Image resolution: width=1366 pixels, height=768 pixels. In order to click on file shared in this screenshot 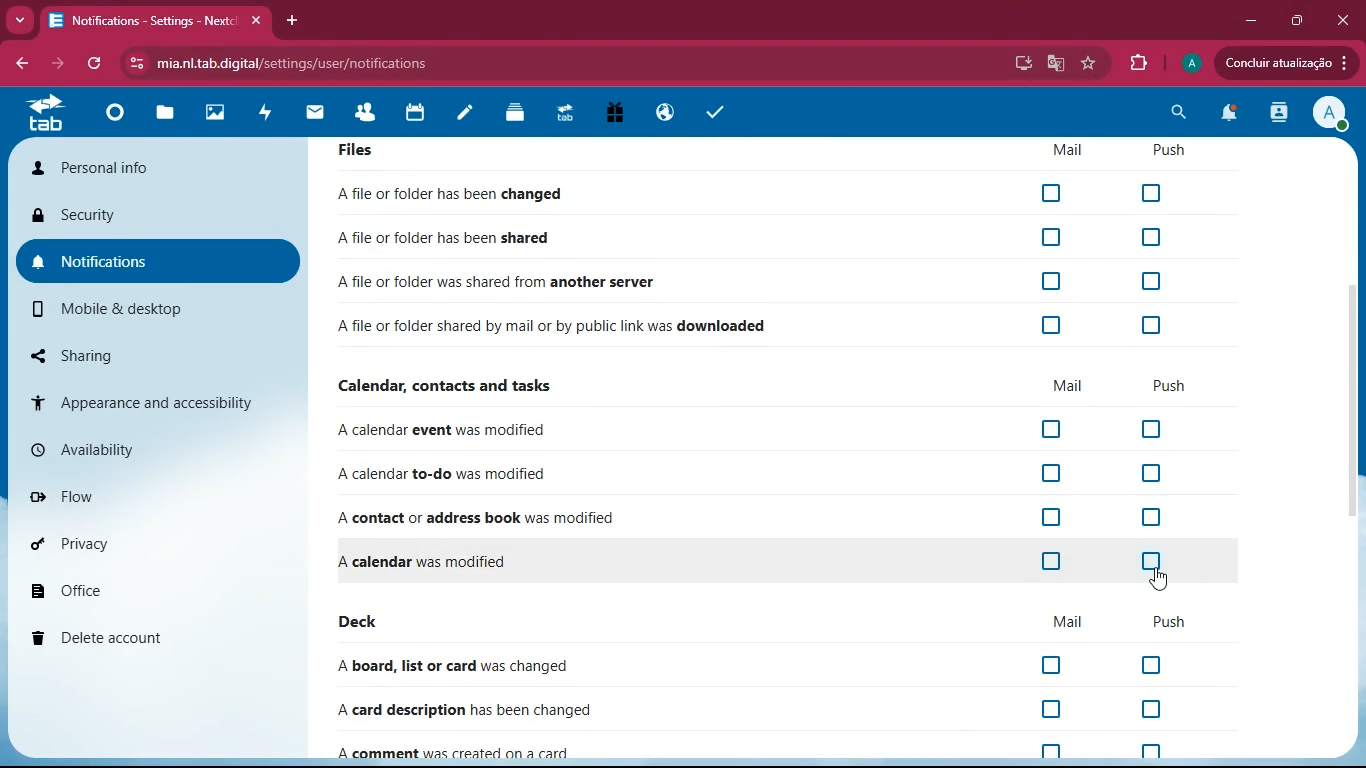, I will do `click(454, 239)`.